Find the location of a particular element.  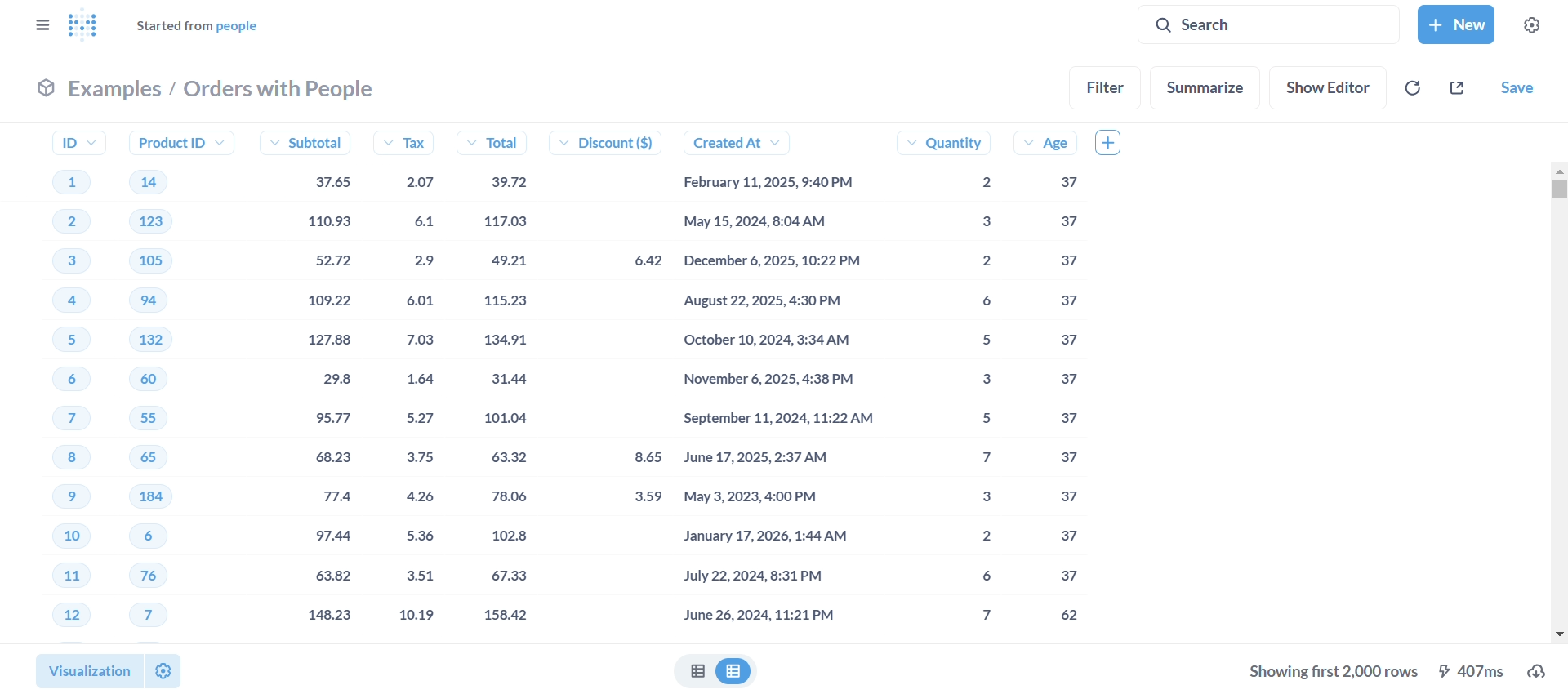

vertical scroll bar is located at coordinates (1558, 412).